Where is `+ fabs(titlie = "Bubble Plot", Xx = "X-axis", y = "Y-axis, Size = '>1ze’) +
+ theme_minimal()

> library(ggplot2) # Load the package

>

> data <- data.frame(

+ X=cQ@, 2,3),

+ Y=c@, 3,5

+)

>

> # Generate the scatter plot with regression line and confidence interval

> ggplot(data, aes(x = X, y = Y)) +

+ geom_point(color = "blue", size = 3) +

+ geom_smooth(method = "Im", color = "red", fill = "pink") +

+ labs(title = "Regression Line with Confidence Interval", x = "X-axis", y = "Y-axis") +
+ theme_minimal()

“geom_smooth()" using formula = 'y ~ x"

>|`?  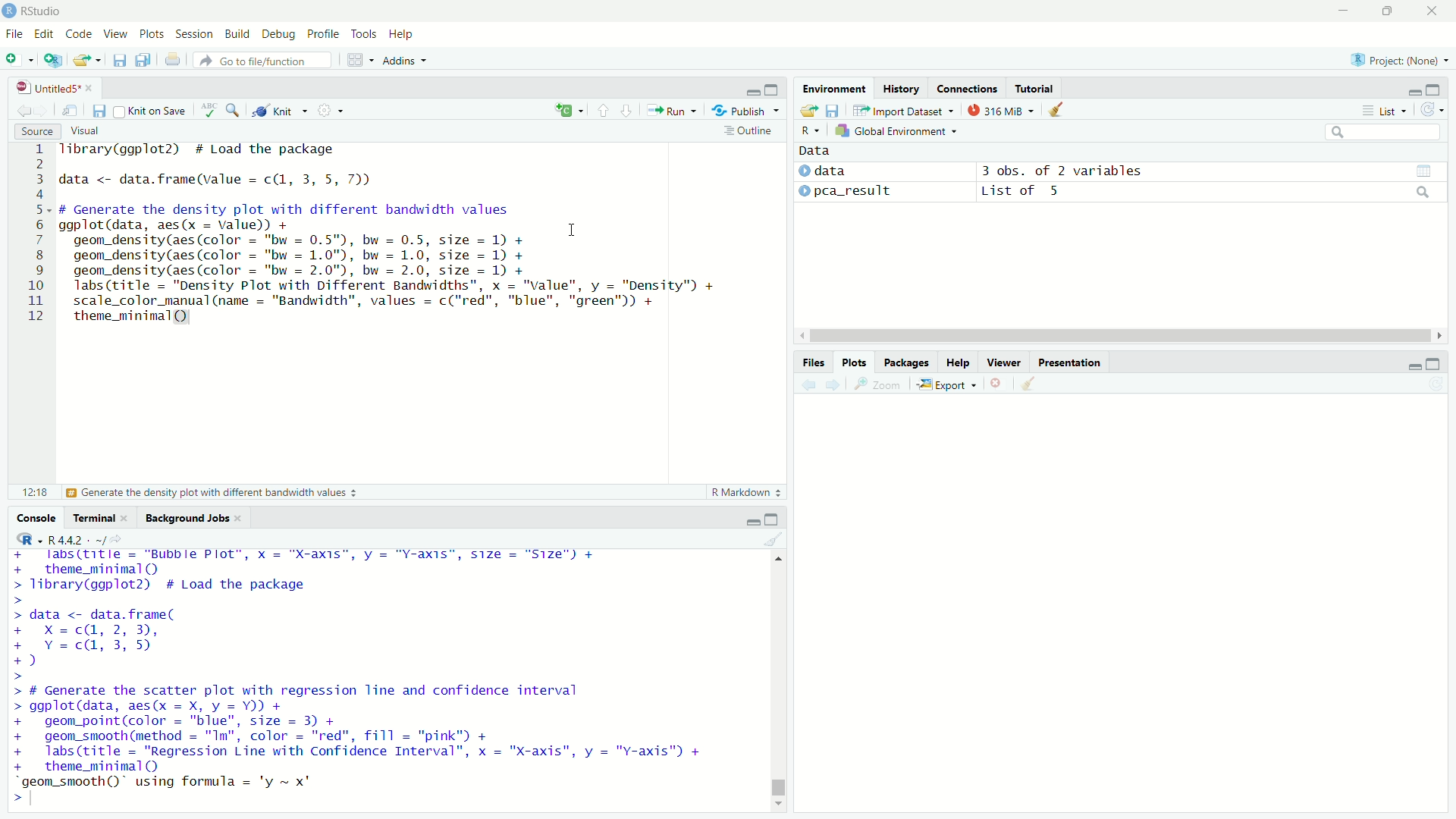 + fabs(titlie = "Bubble Plot", Xx = "X-axis", y = "Y-axis, Size = '>1ze’) +
+ theme_minimal()

> library(ggplot2) # Load the package

>

> data <- data.frame(

+ X=cQ@, 2,3),

+ Y=c@, 3,5

+)

>

> # Generate the scatter plot with regression line and confidence interval

> ggplot(data, aes(x = X, y = Y)) +

+ geom_point(color = "blue", size = 3) +

+ geom_smooth(method = "Im", color = "red", fill = "pink") +

+ labs(title = "Regression Line with Confidence Interval", x = "X-axis", y = "Y-axis") +
+ theme_minimal()

“geom_smooth()" using formula = 'y ~ x"

>| is located at coordinates (362, 677).